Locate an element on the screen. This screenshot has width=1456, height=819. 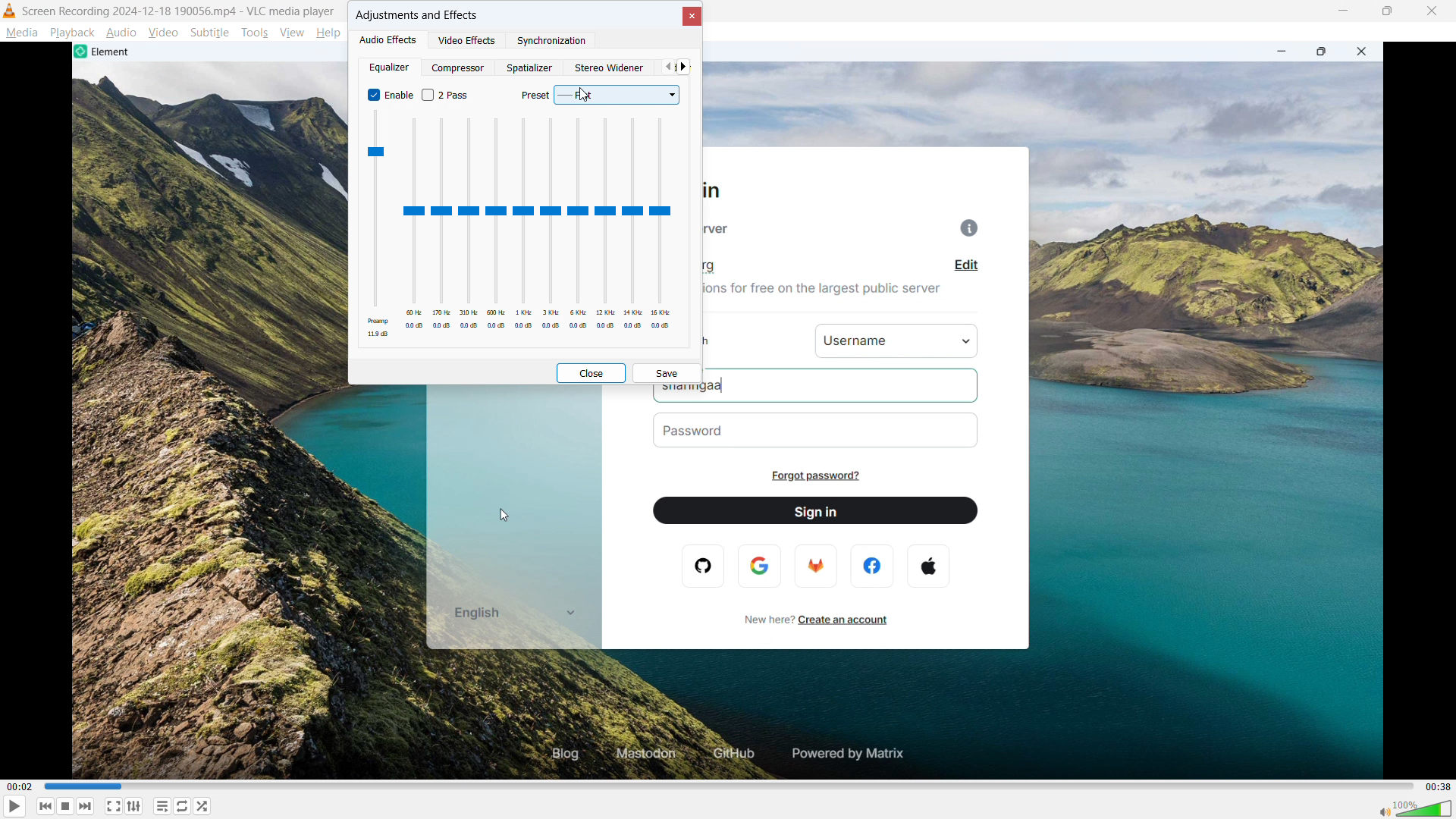
minimise  is located at coordinates (1345, 12).